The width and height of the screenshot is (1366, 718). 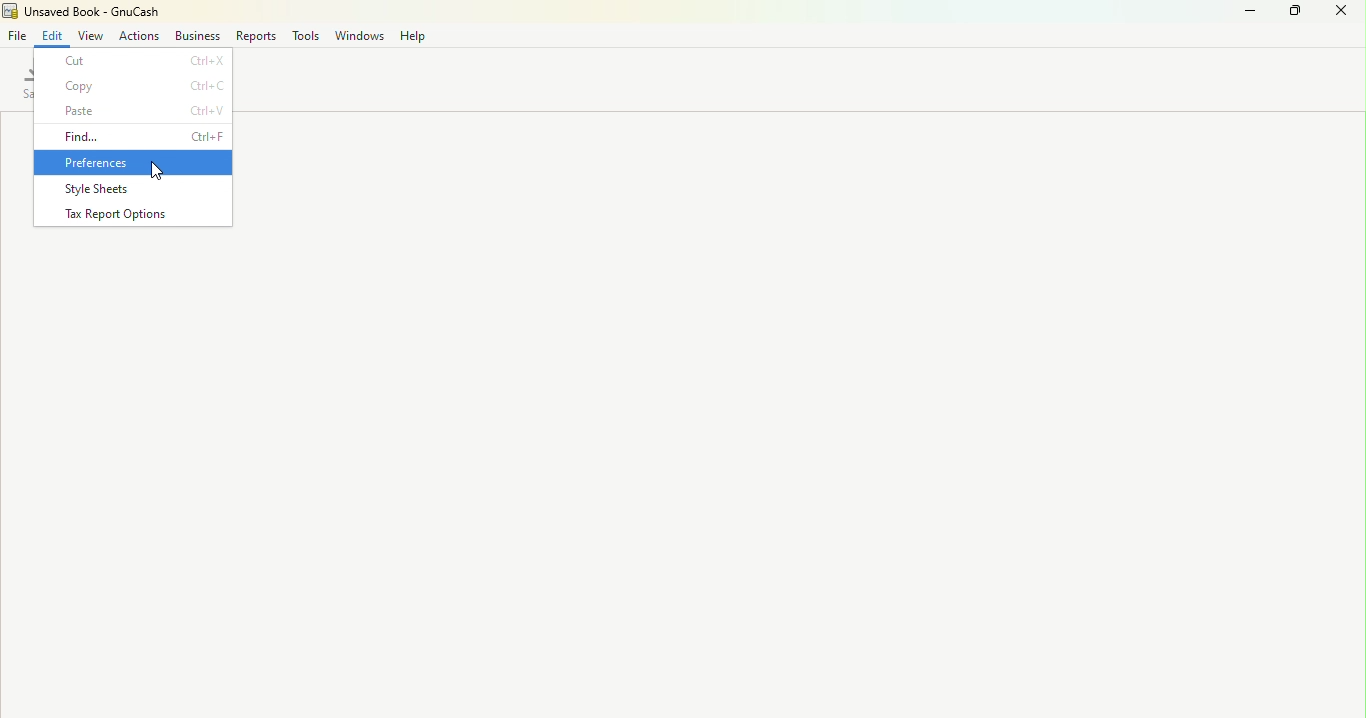 I want to click on Close, so click(x=1346, y=20).